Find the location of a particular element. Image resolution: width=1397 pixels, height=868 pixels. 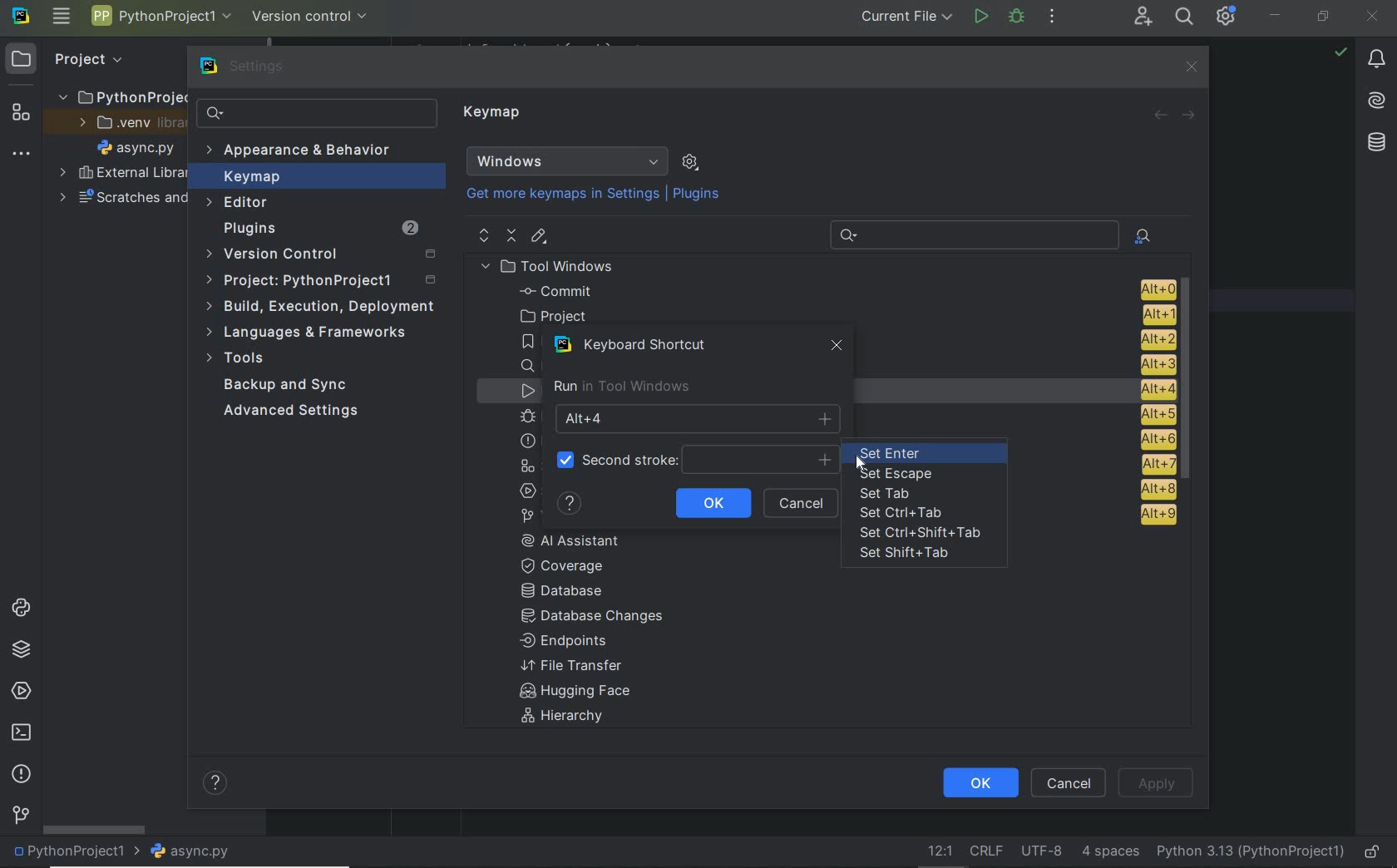

Project name is located at coordinates (161, 19).